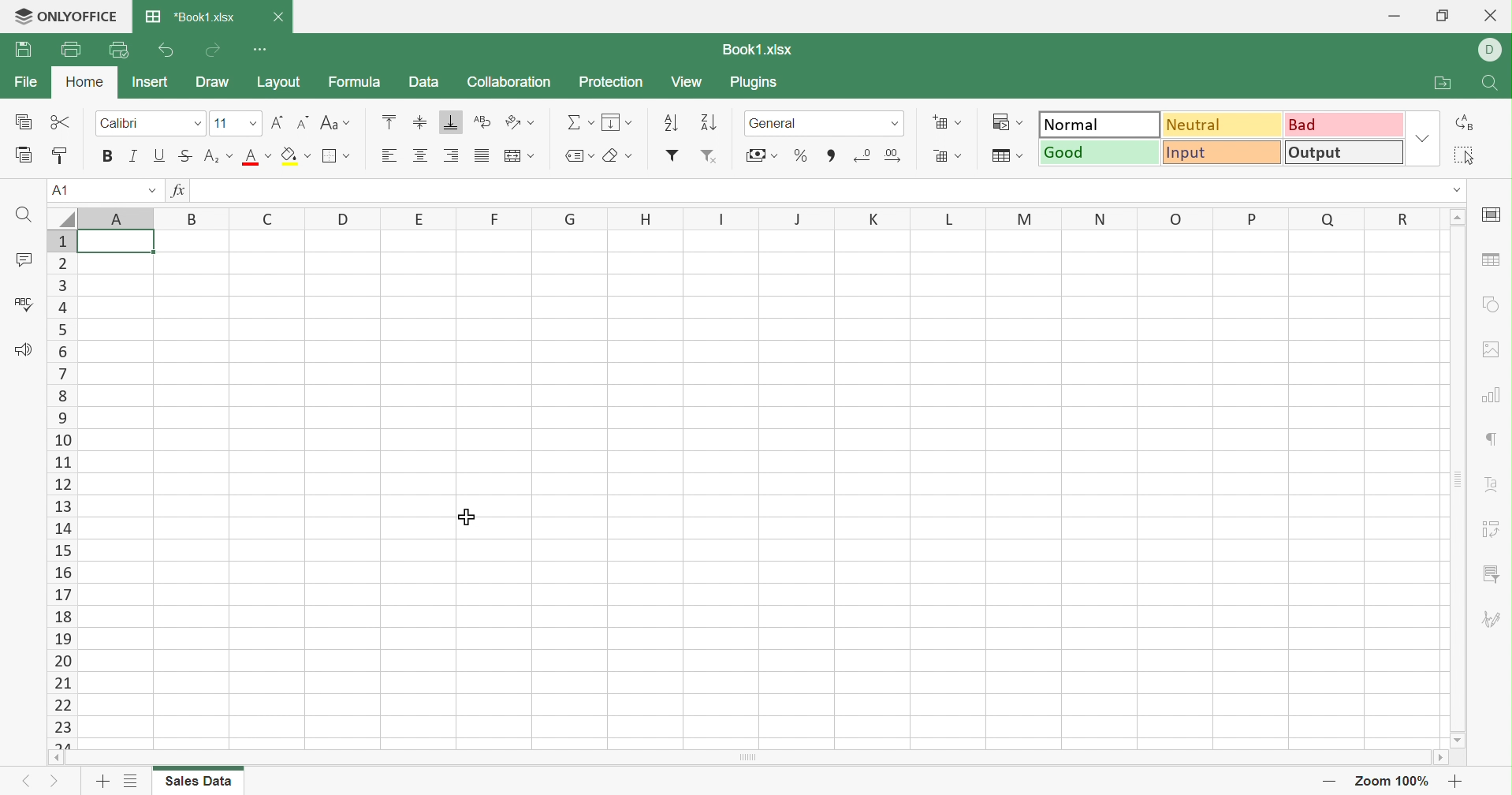 This screenshot has width=1512, height=795. What do you see at coordinates (1222, 125) in the screenshot?
I see `Neutral` at bounding box center [1222, 125].